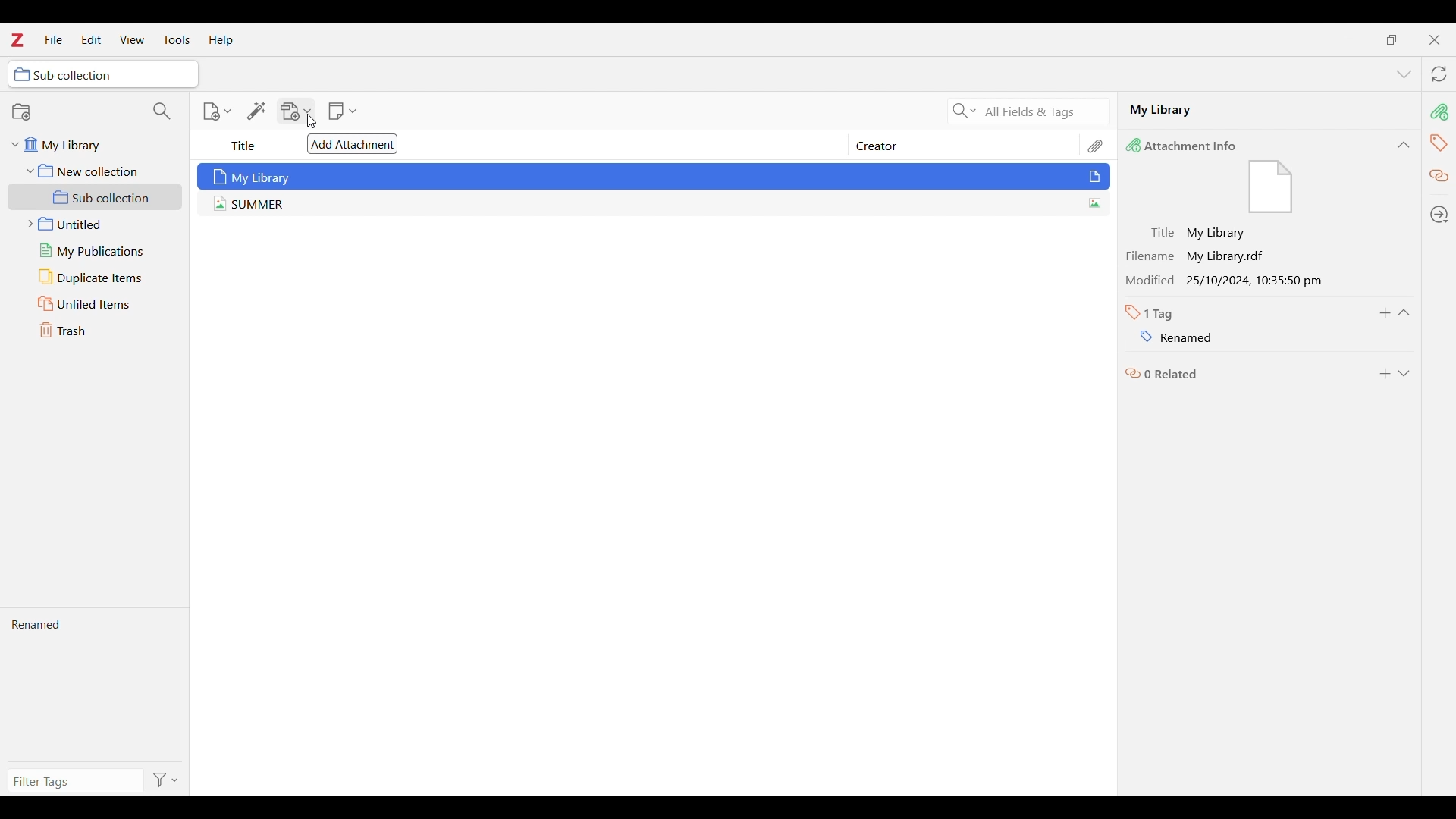 This screenshot has width=1456, height=819. Describe the element at coordinates (54, 39) in the screenshot. I see `File menu` at that location.